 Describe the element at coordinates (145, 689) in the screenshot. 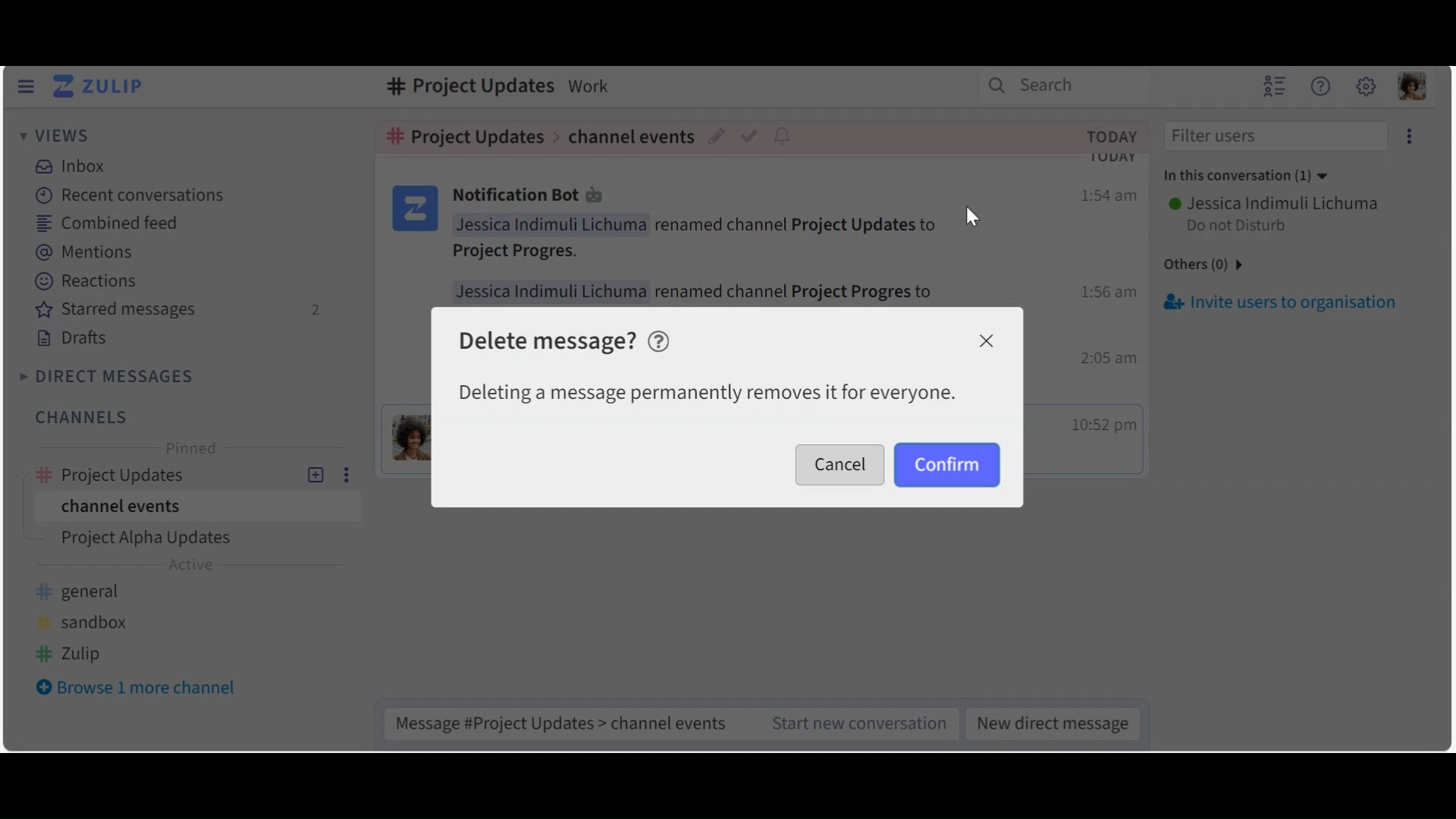

I see `Bowser 1 more channel` at that location.